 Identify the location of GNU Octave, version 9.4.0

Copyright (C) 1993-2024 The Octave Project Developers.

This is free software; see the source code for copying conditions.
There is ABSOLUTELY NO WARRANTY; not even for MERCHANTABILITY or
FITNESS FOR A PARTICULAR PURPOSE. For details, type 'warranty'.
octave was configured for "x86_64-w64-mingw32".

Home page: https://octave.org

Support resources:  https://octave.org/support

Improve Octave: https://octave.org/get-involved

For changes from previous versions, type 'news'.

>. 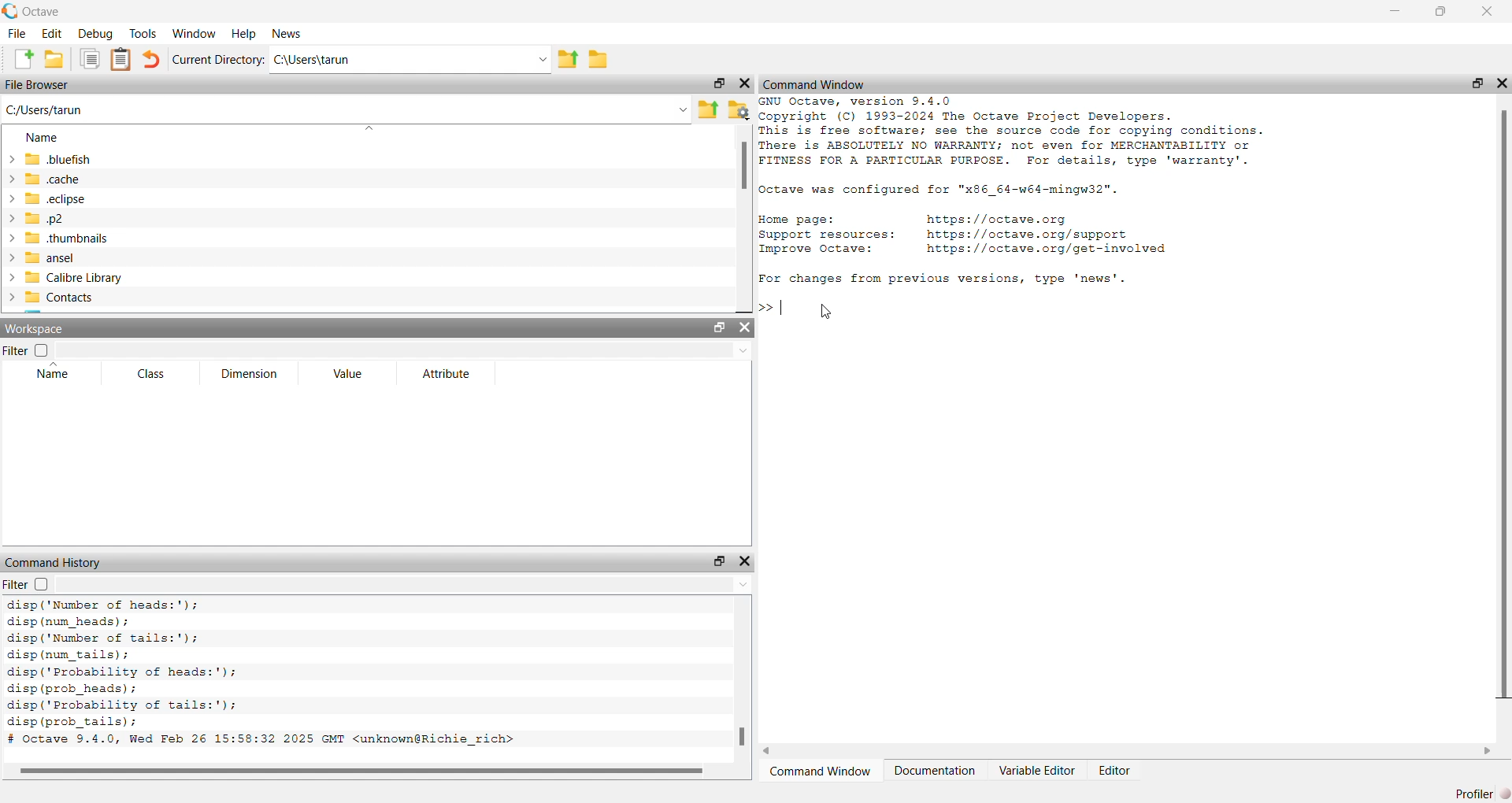
(1014, 209).